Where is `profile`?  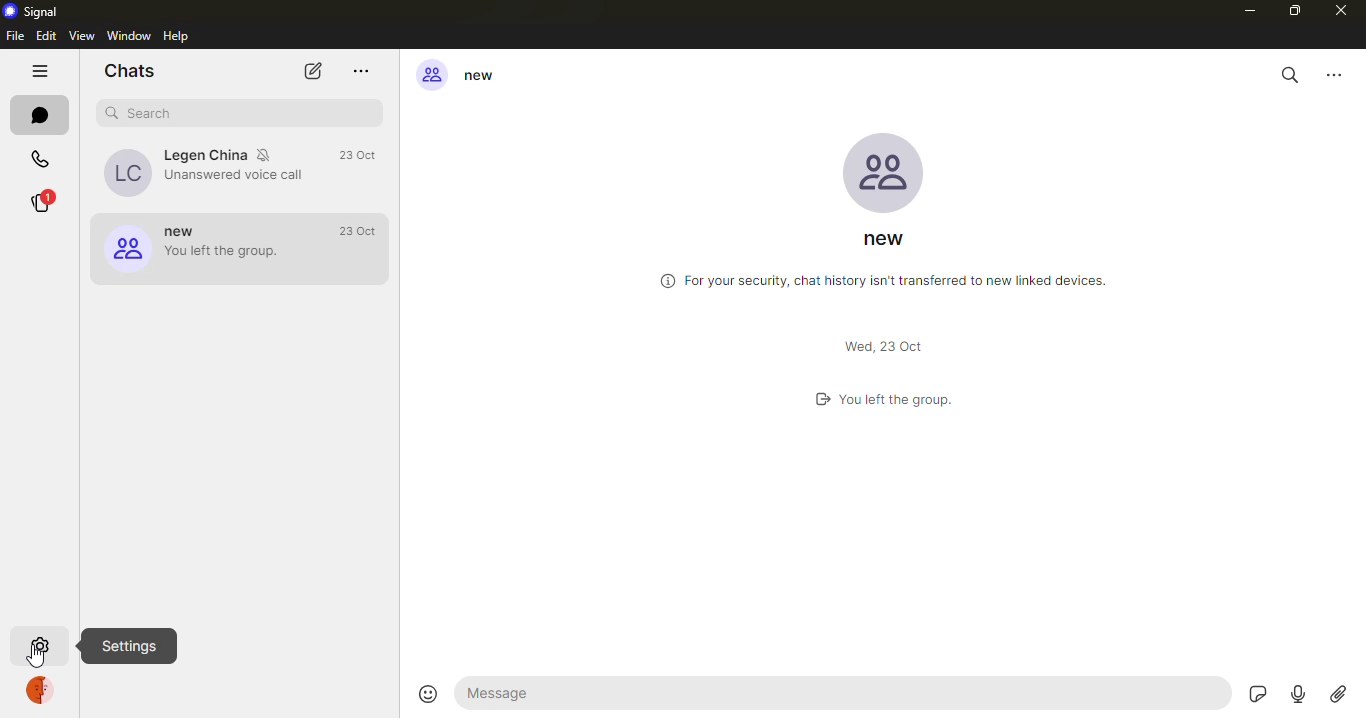 profile is located at coordinates (42, 688).